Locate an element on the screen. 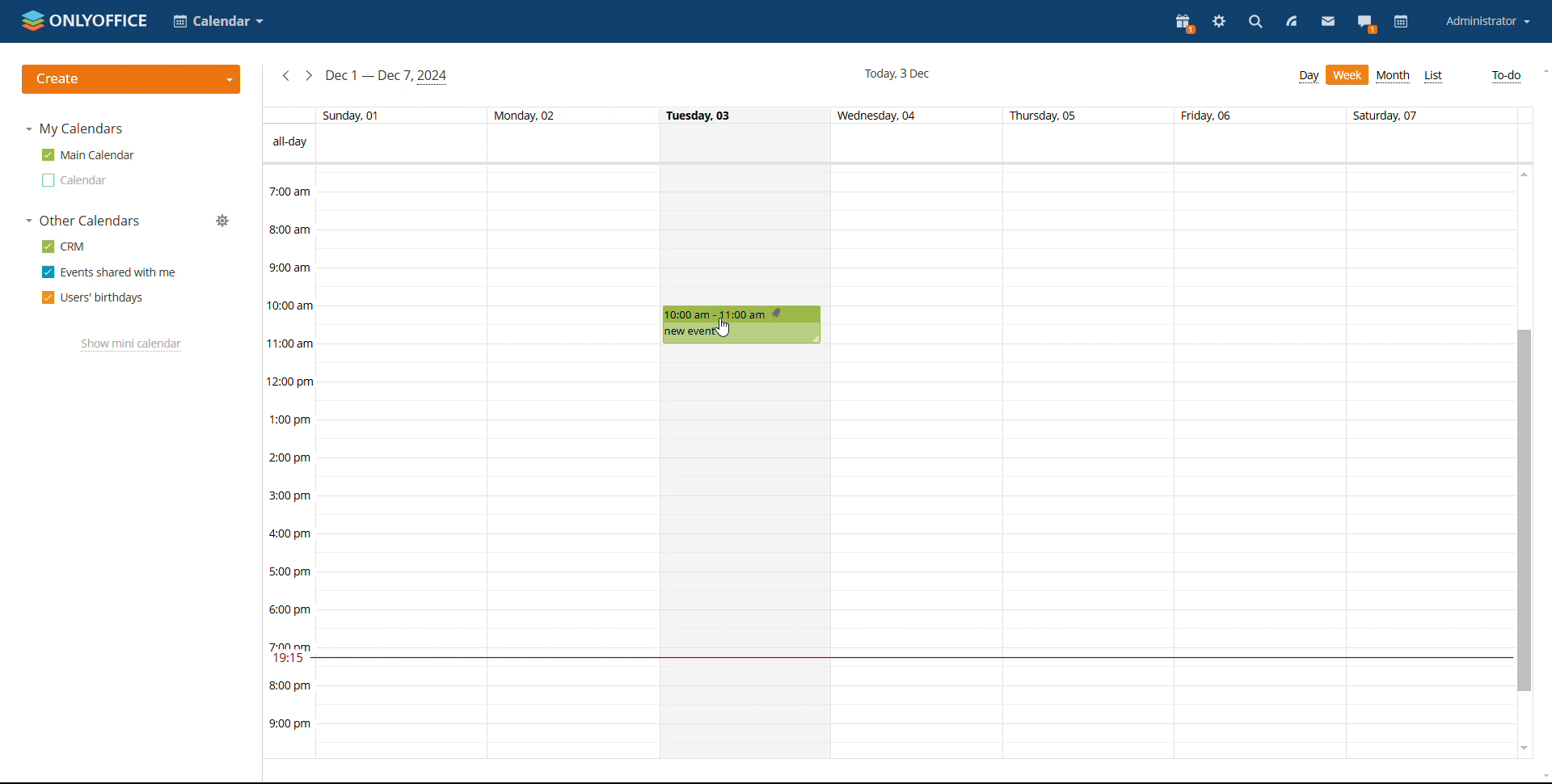 The width and height of the screenshot is (1552, 784). Today, 3 Dec is located at coordinates (896, 73).